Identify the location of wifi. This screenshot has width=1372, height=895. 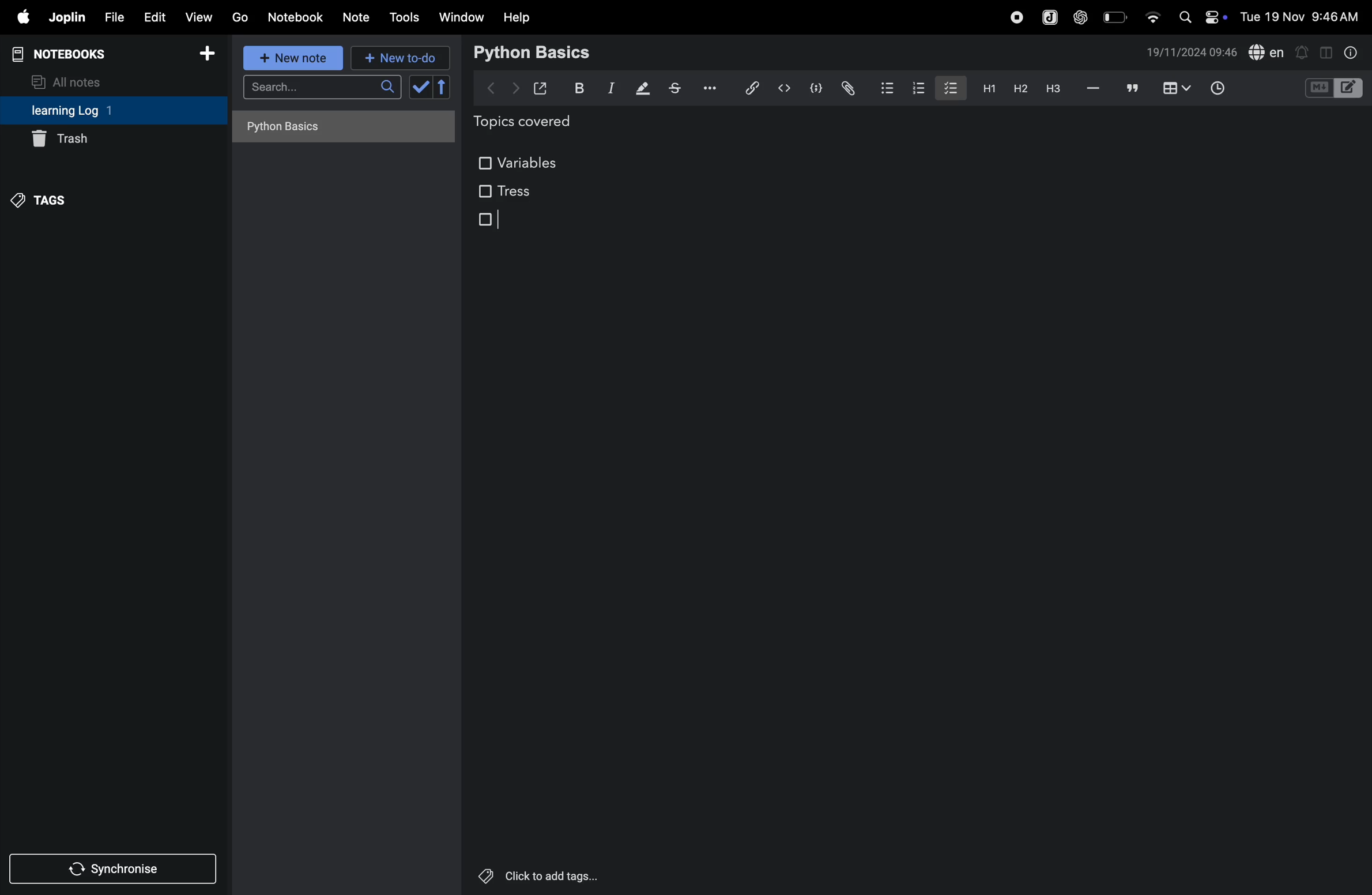
(1152, 13).